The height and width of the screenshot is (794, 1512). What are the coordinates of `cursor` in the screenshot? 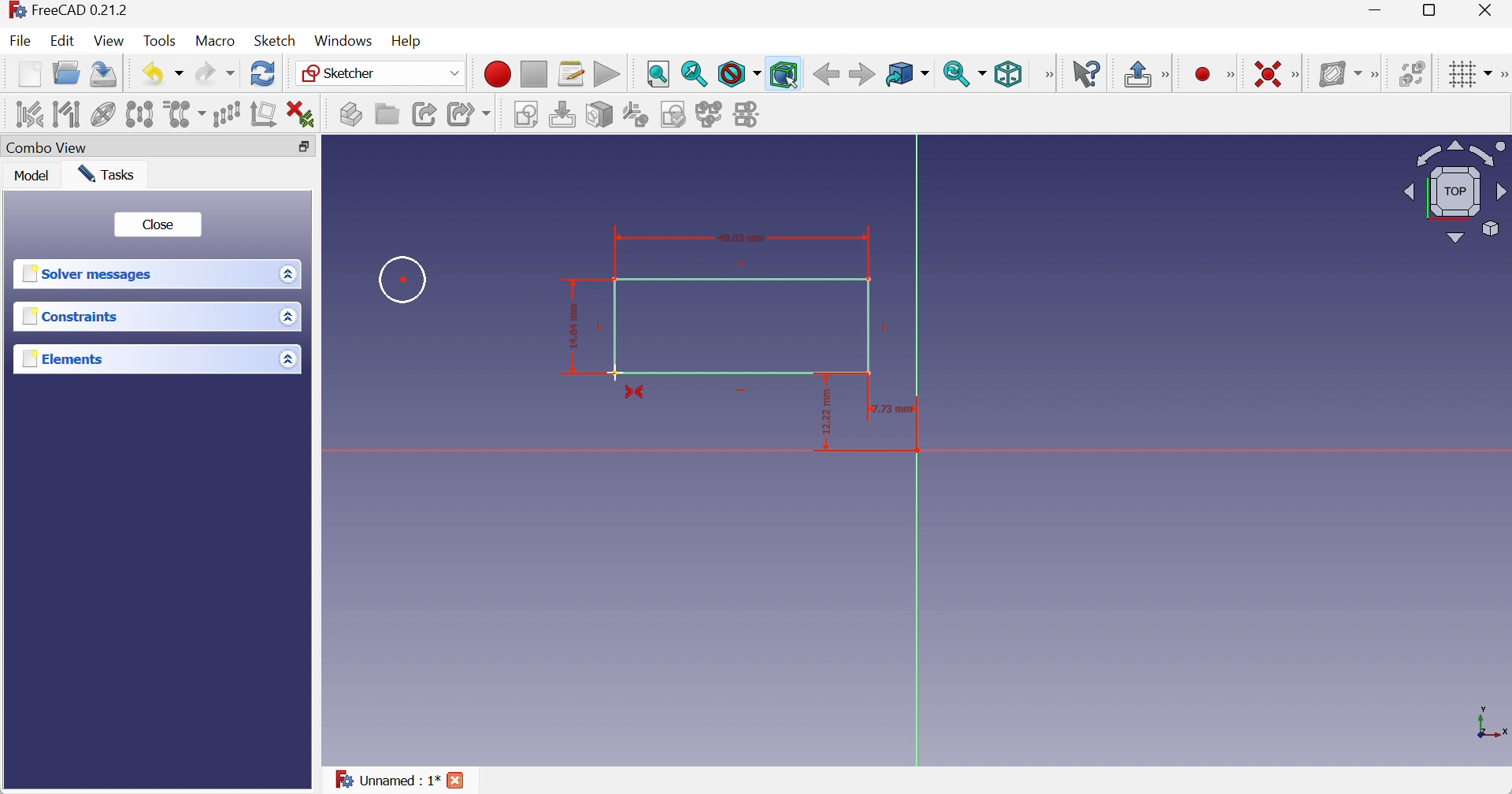 It's located at (791, 82).